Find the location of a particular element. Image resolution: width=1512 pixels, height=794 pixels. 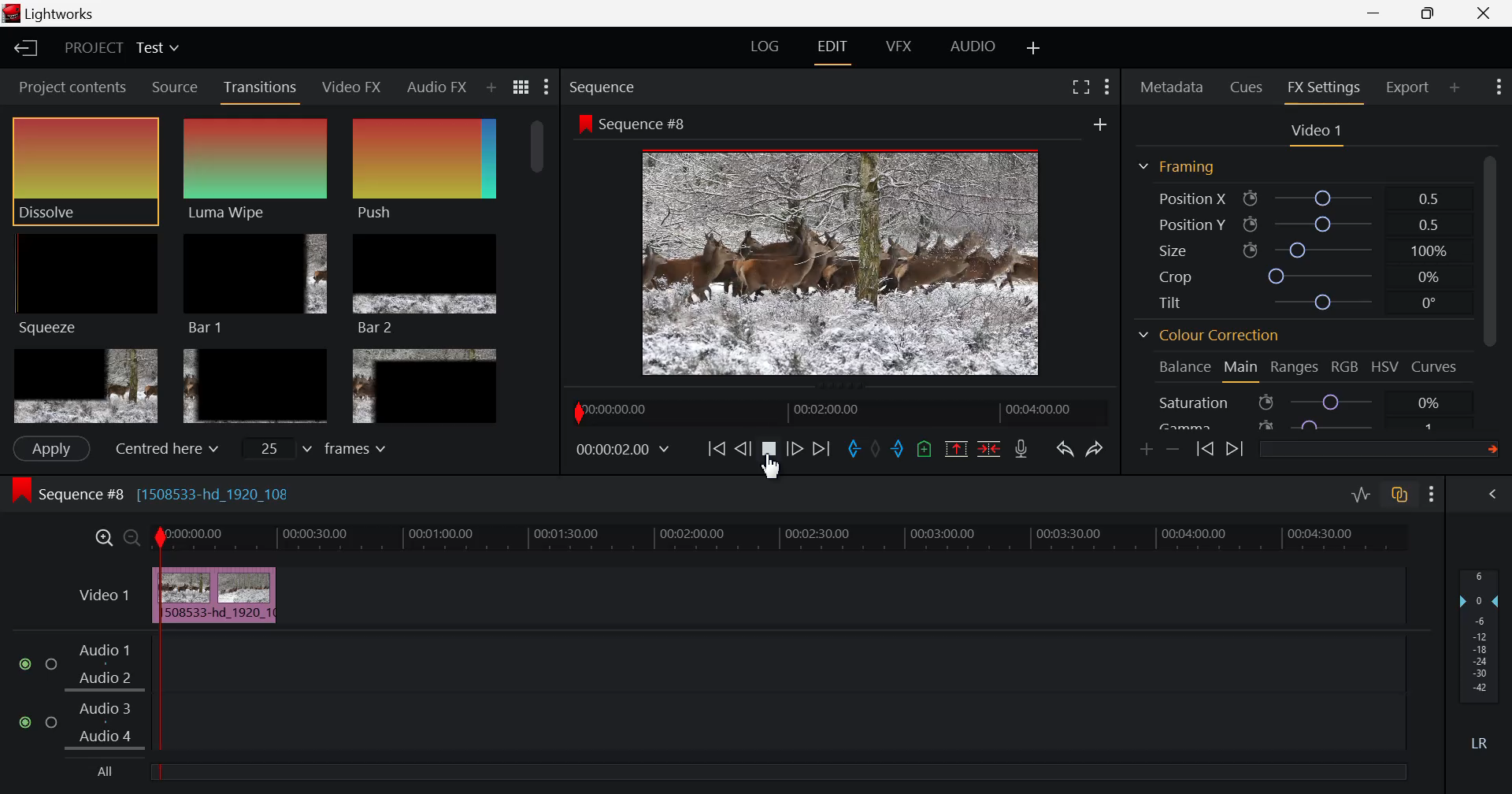

Video 1 settings open is located at coordinates (1318, 132).